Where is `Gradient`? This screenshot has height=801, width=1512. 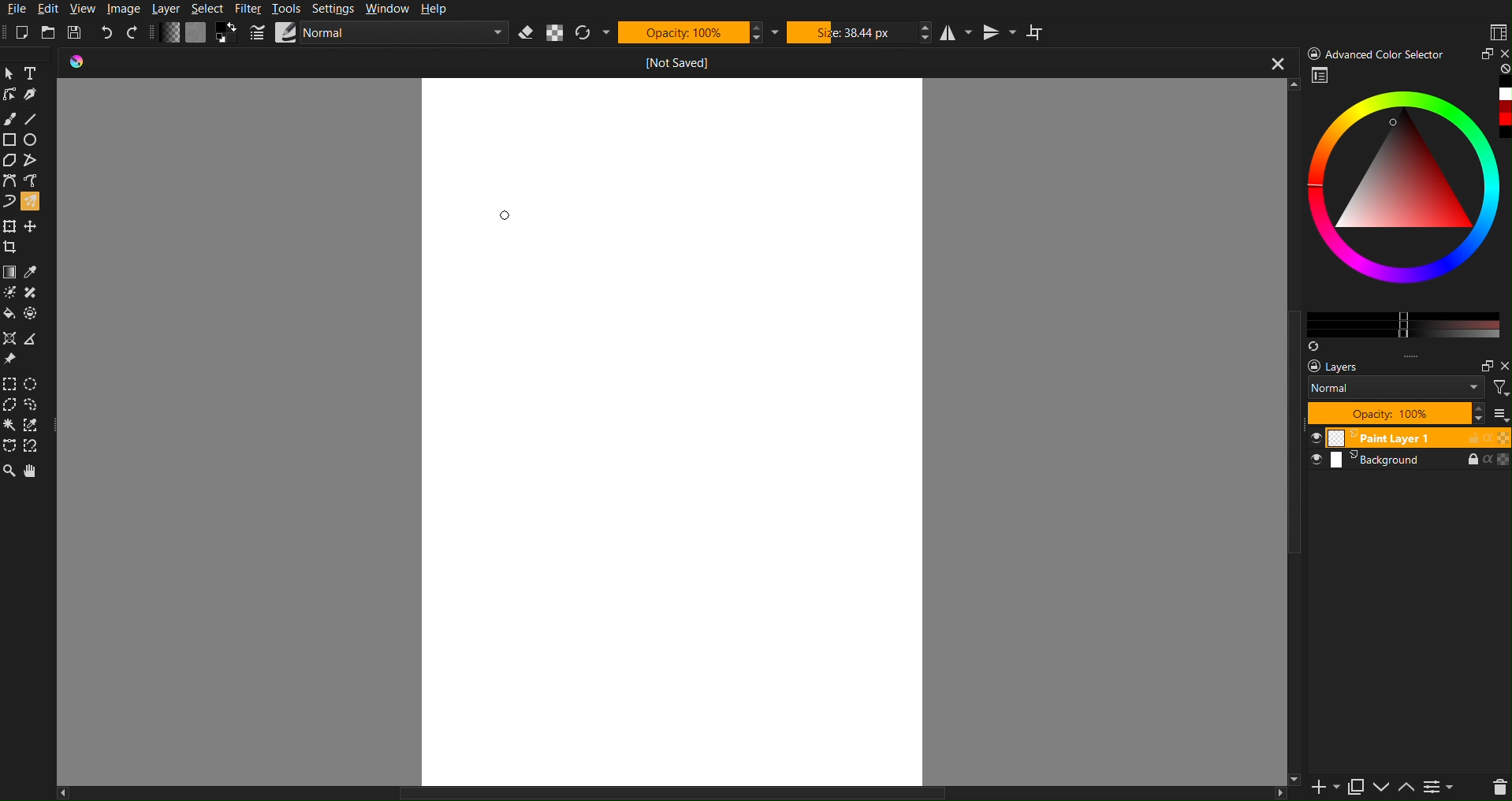
Gradient is located at coordinates (10, 270).